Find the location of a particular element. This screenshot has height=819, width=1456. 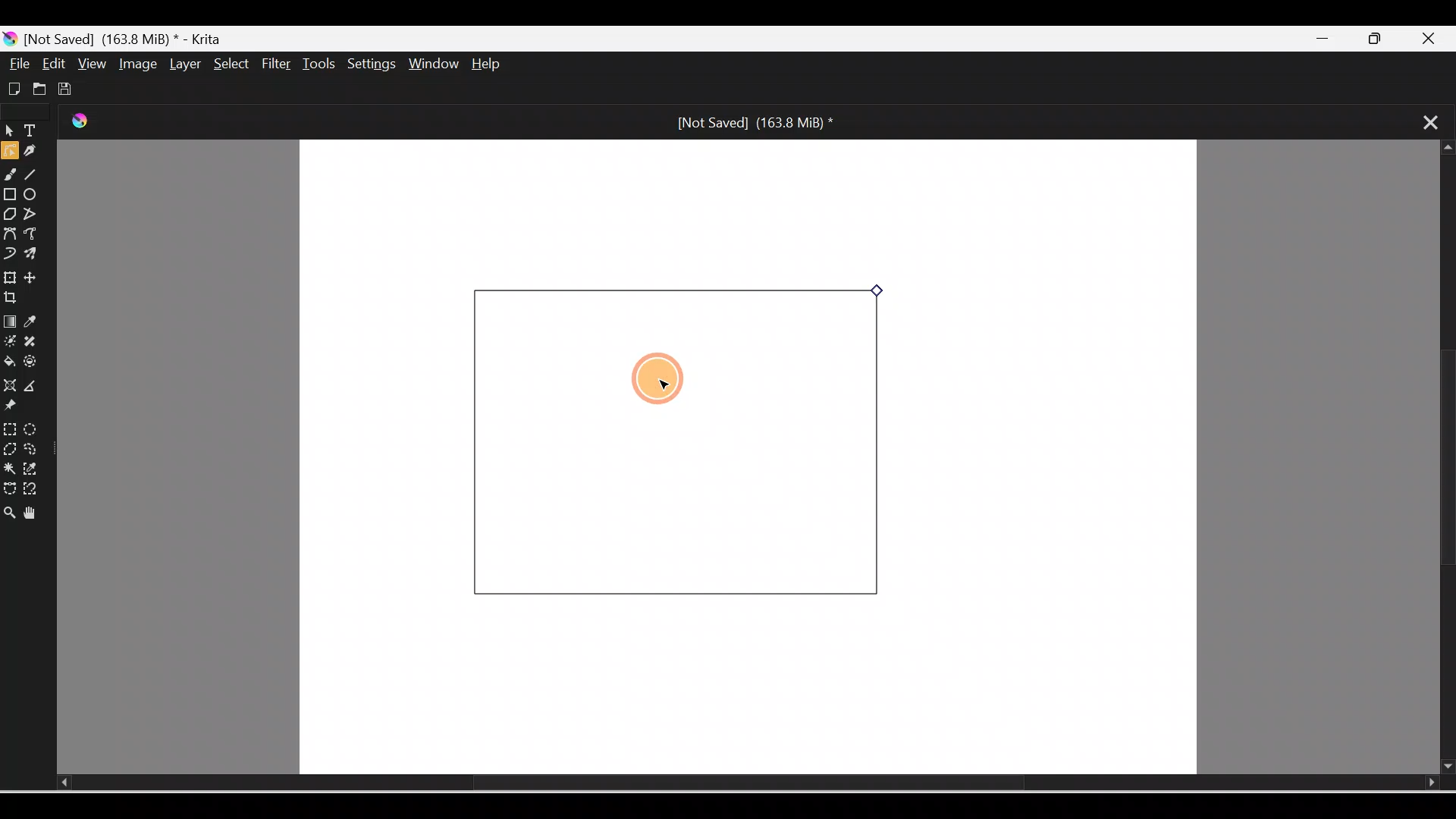

Dynamic brush tool is located at coordinates (9, 252).